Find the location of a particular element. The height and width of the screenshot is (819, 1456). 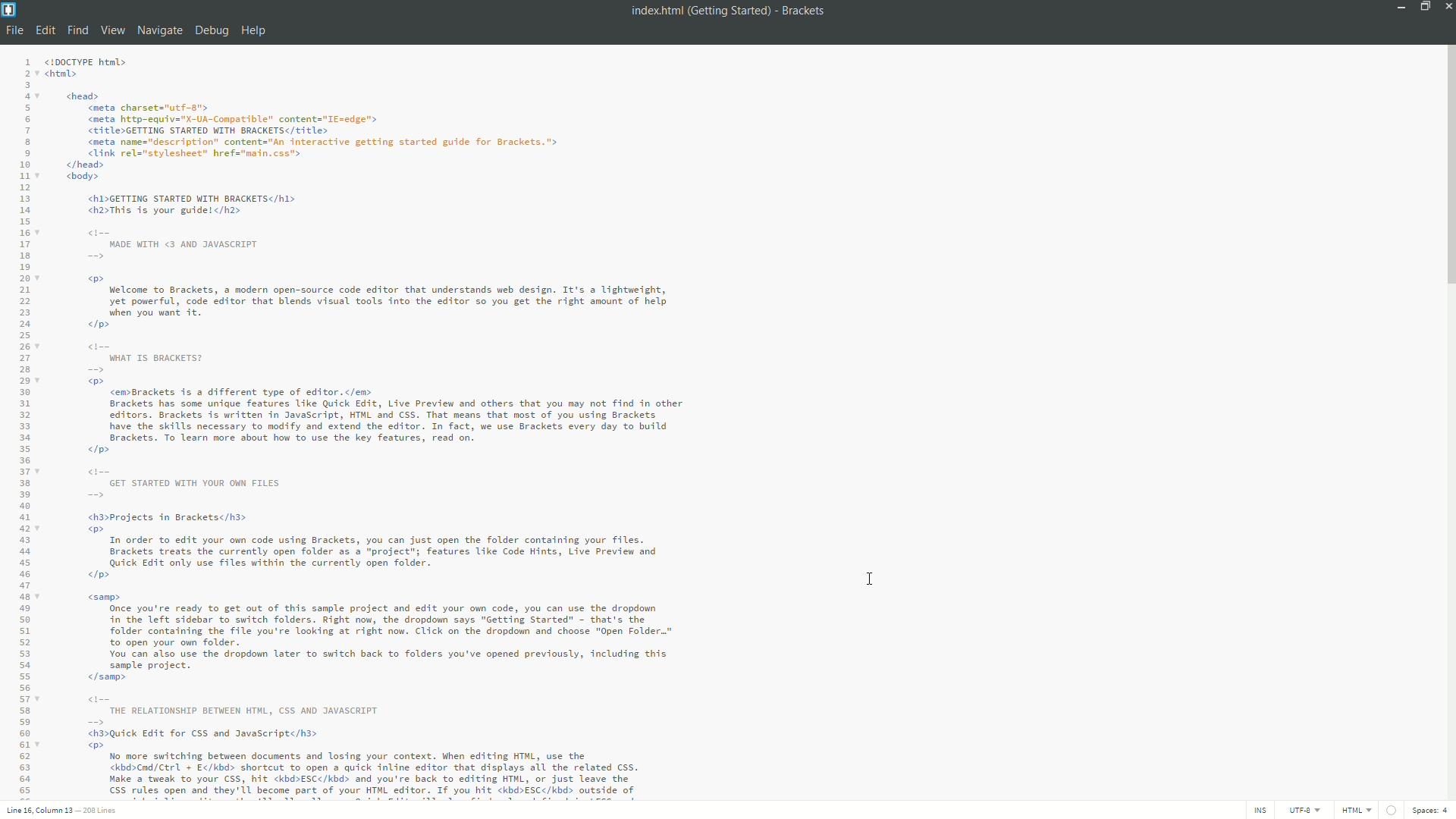

close app is located at coordinates (1447, 6).